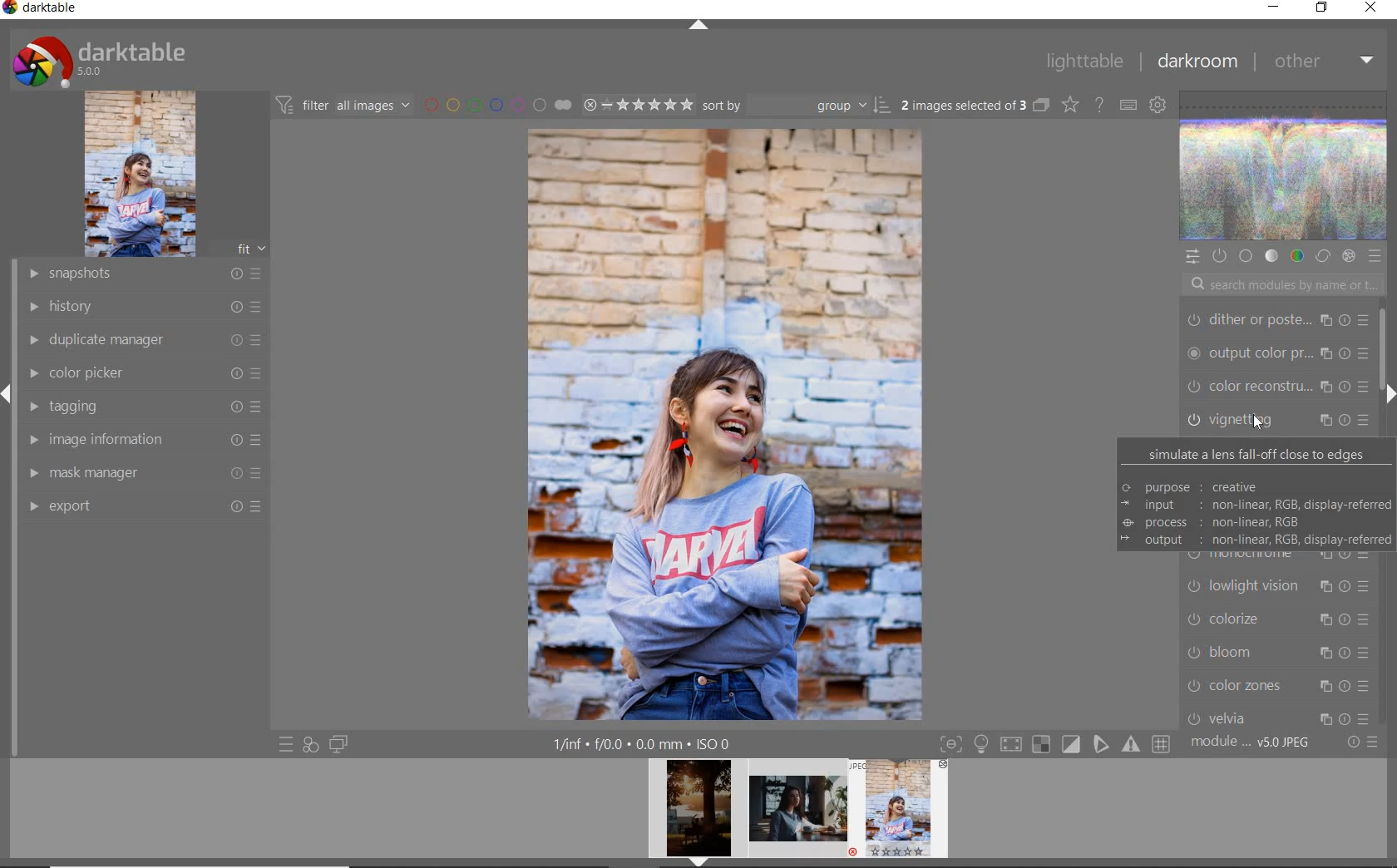 This screenshot has height=868, width=1397. Describe the element at coordinates (726, 422) in the screenshot. I see `selected image` at that location.